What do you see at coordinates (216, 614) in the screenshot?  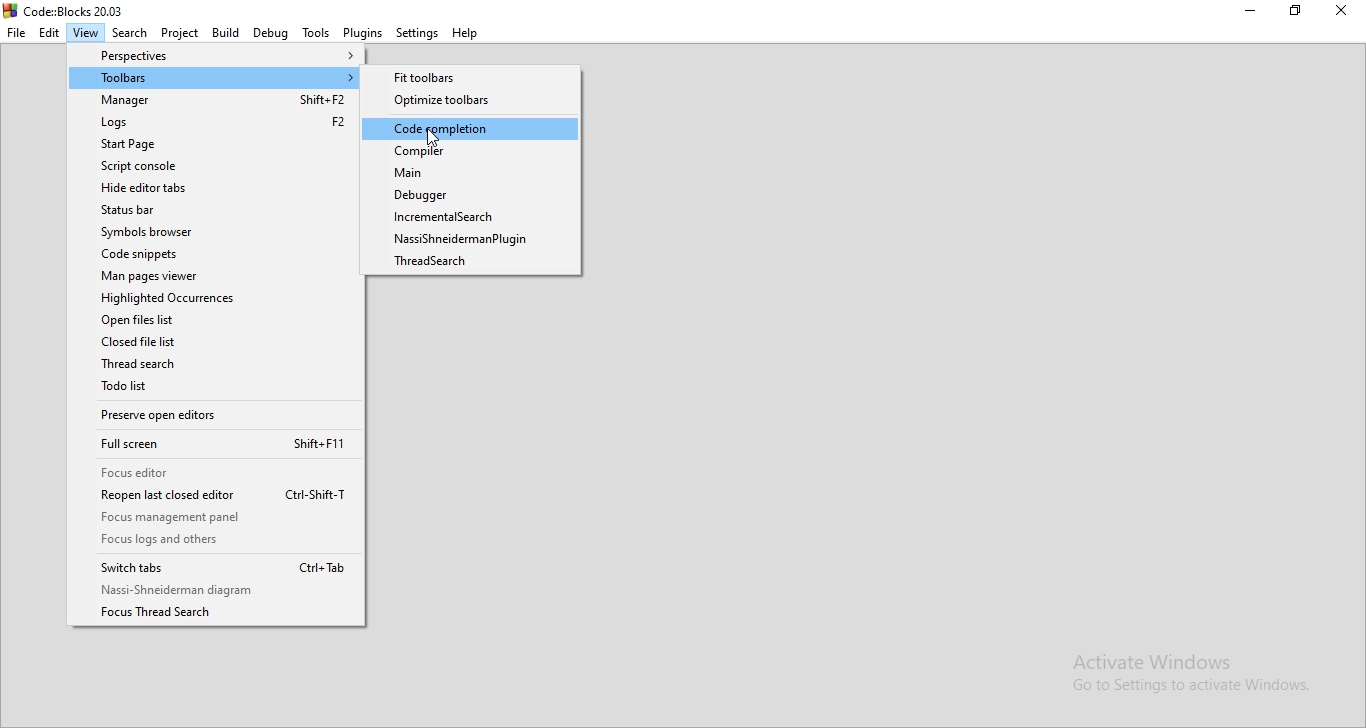 I see `Focus Thread Search` at bounding box center [216, 614].